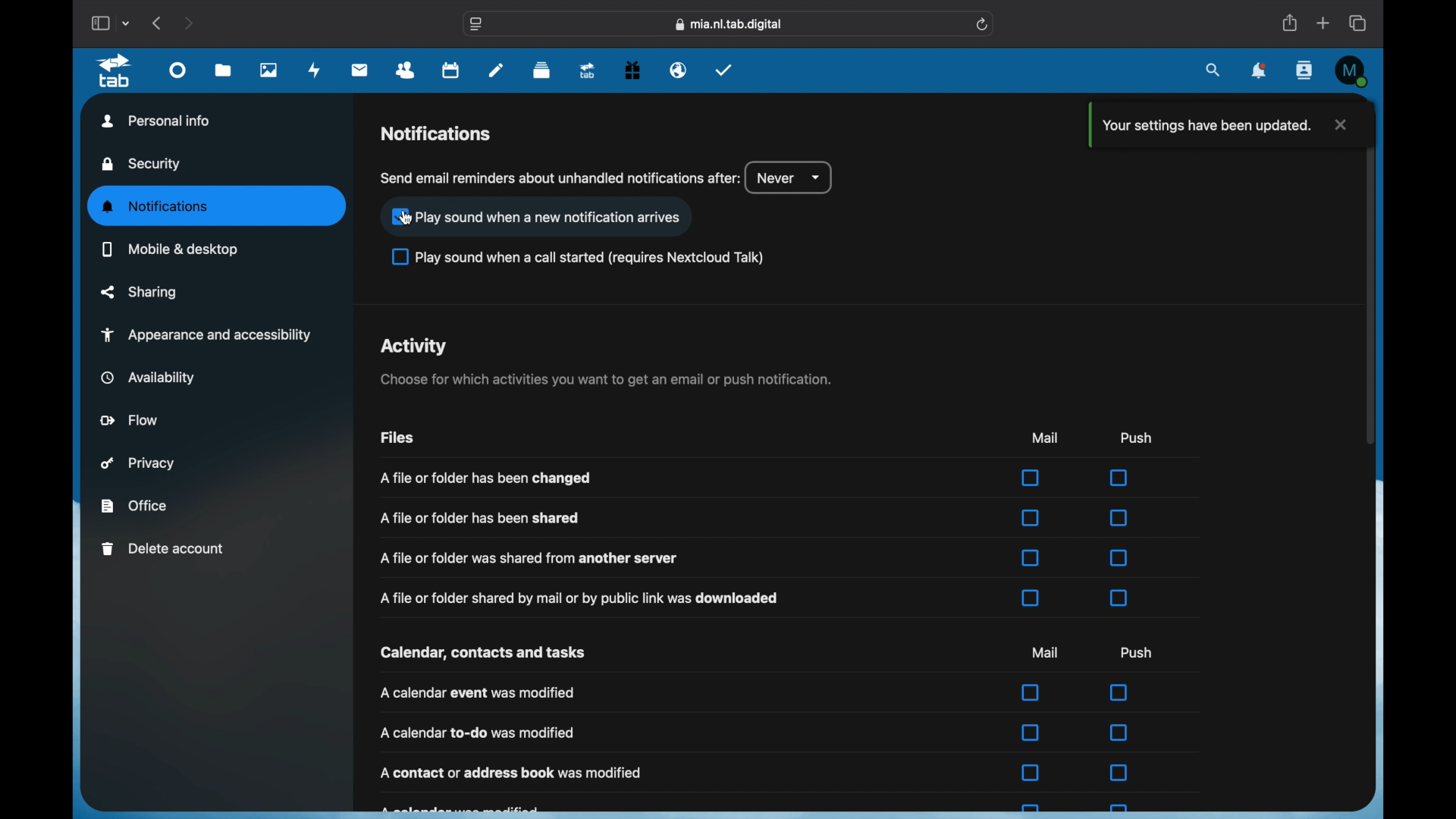 The width and height of the screenshot is (1456, 819). What do you see at coordinates (461, 808) in the screenshot?
I see `obscured text` at bounding box center [461, 808].